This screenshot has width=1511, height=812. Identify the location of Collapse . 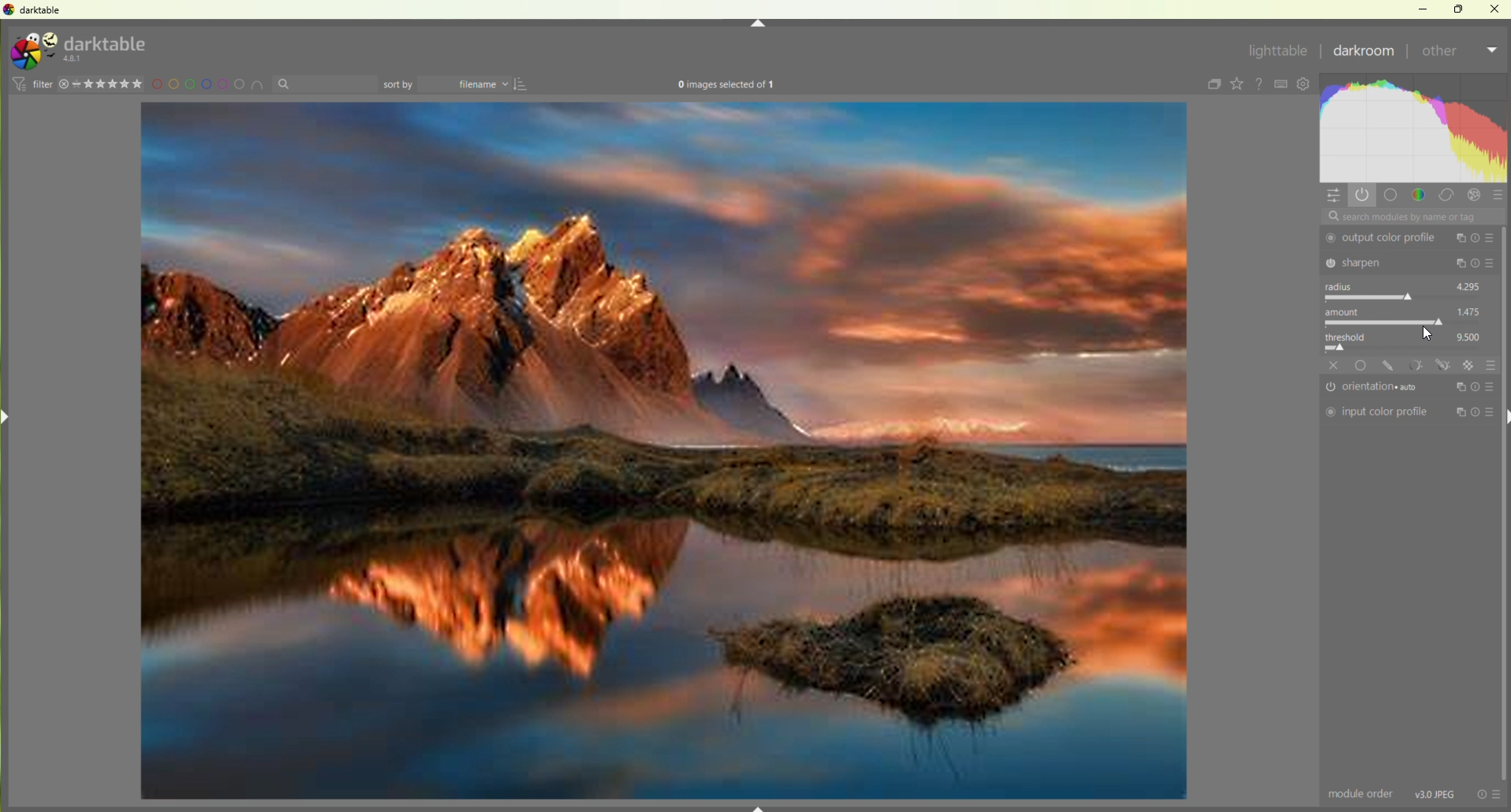
(758, 24).